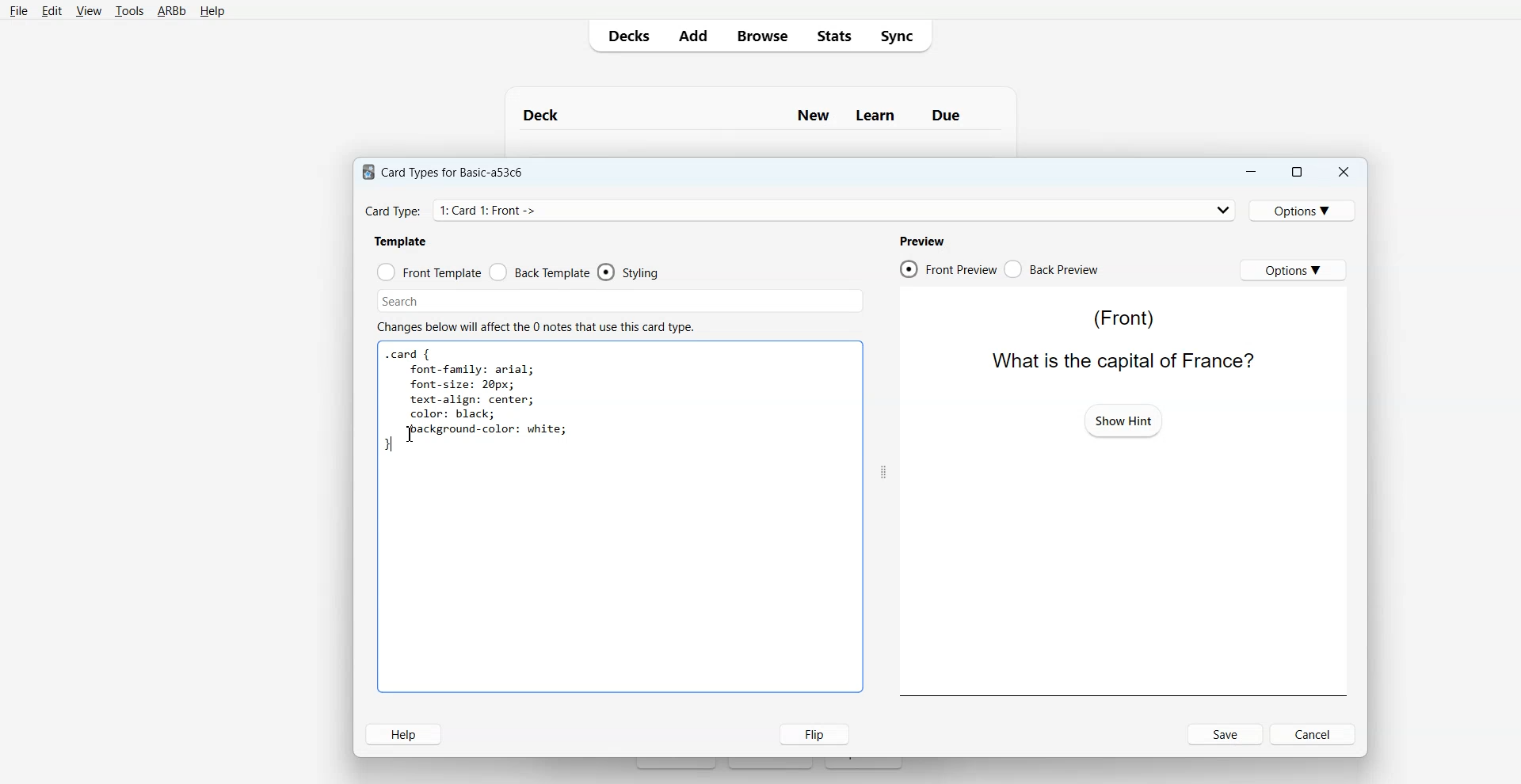 The image size is (1521, 784). I want to click on Card Type: 1: Card 1: Front -> Back, so click(509, 210).